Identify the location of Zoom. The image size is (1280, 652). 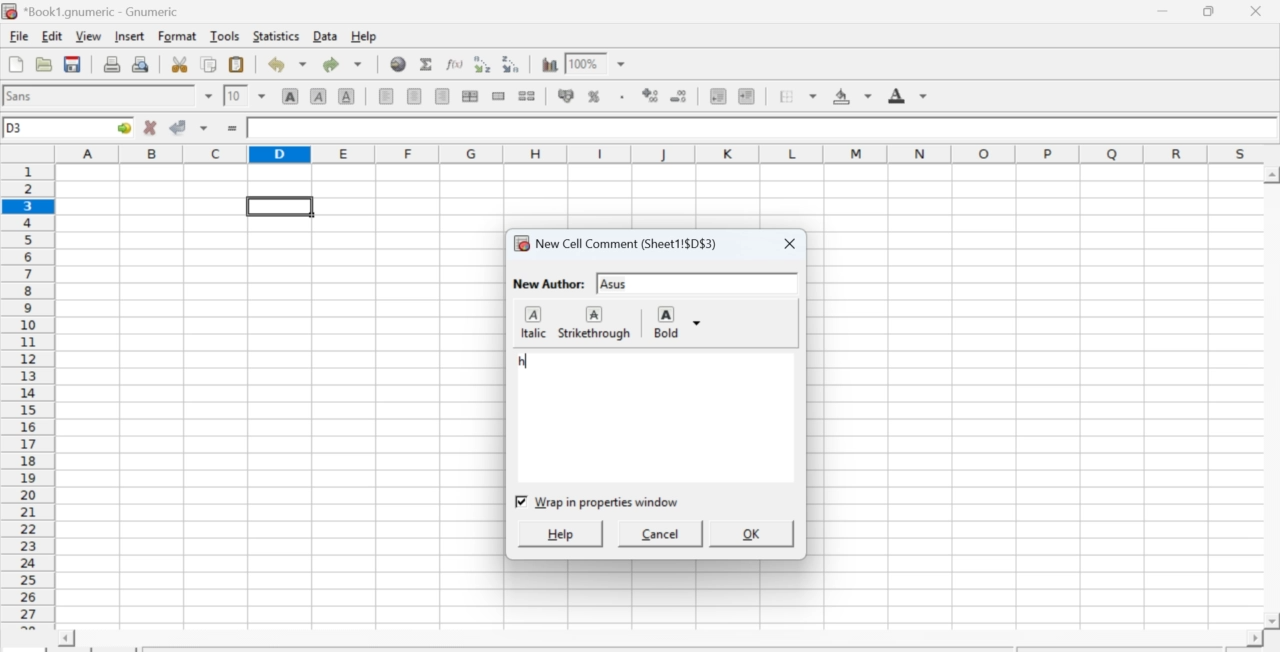
(586, 62).